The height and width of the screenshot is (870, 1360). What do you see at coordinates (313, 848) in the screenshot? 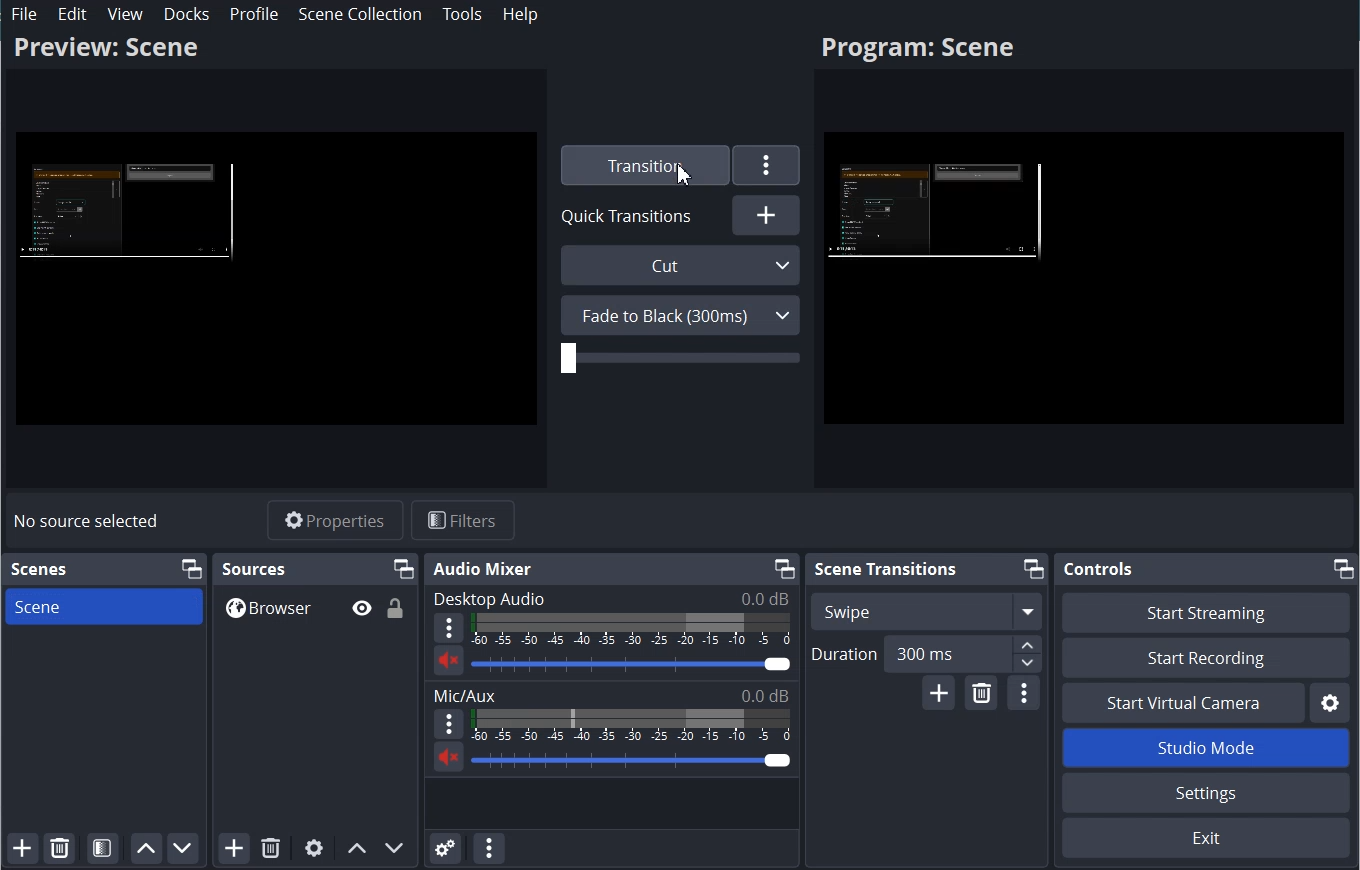
I see `Open Source Properties` at bounding box center [313, 848].